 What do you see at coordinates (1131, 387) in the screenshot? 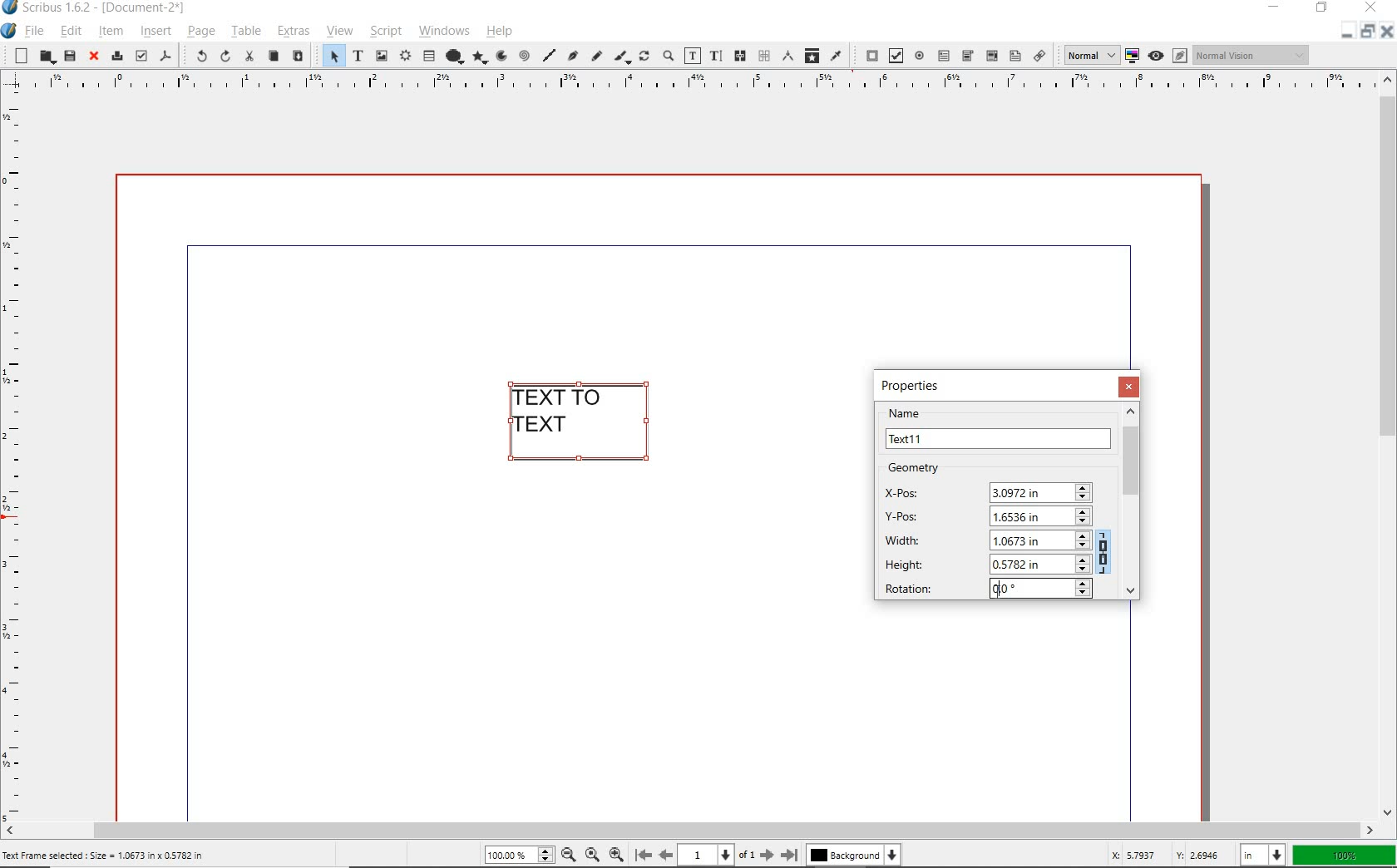
I see `CLOSE` at bounding box center [1131, 387].